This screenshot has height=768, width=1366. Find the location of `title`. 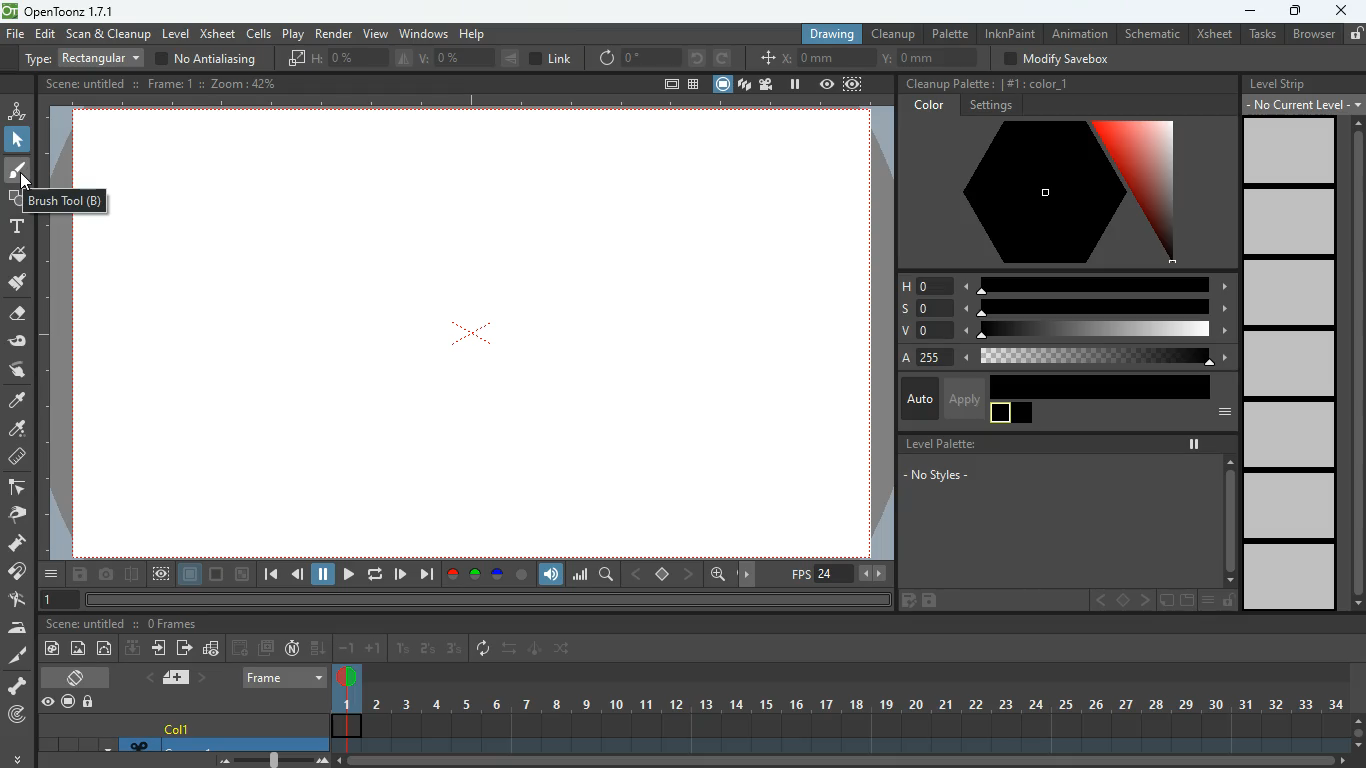

title is located at coordinates (84, 82).